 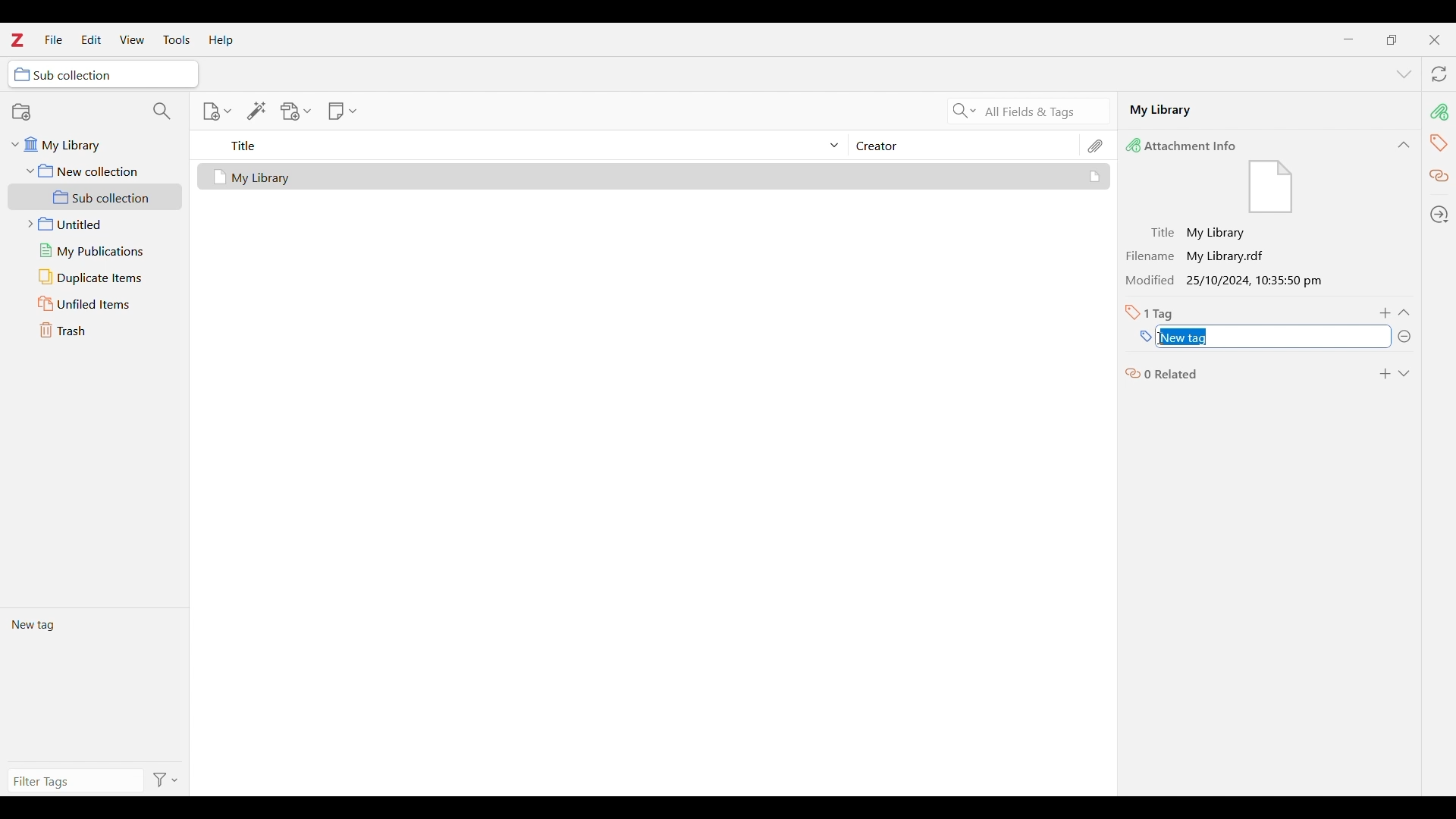 I want to click on Selected file and its details, so click(x=654, y=177).